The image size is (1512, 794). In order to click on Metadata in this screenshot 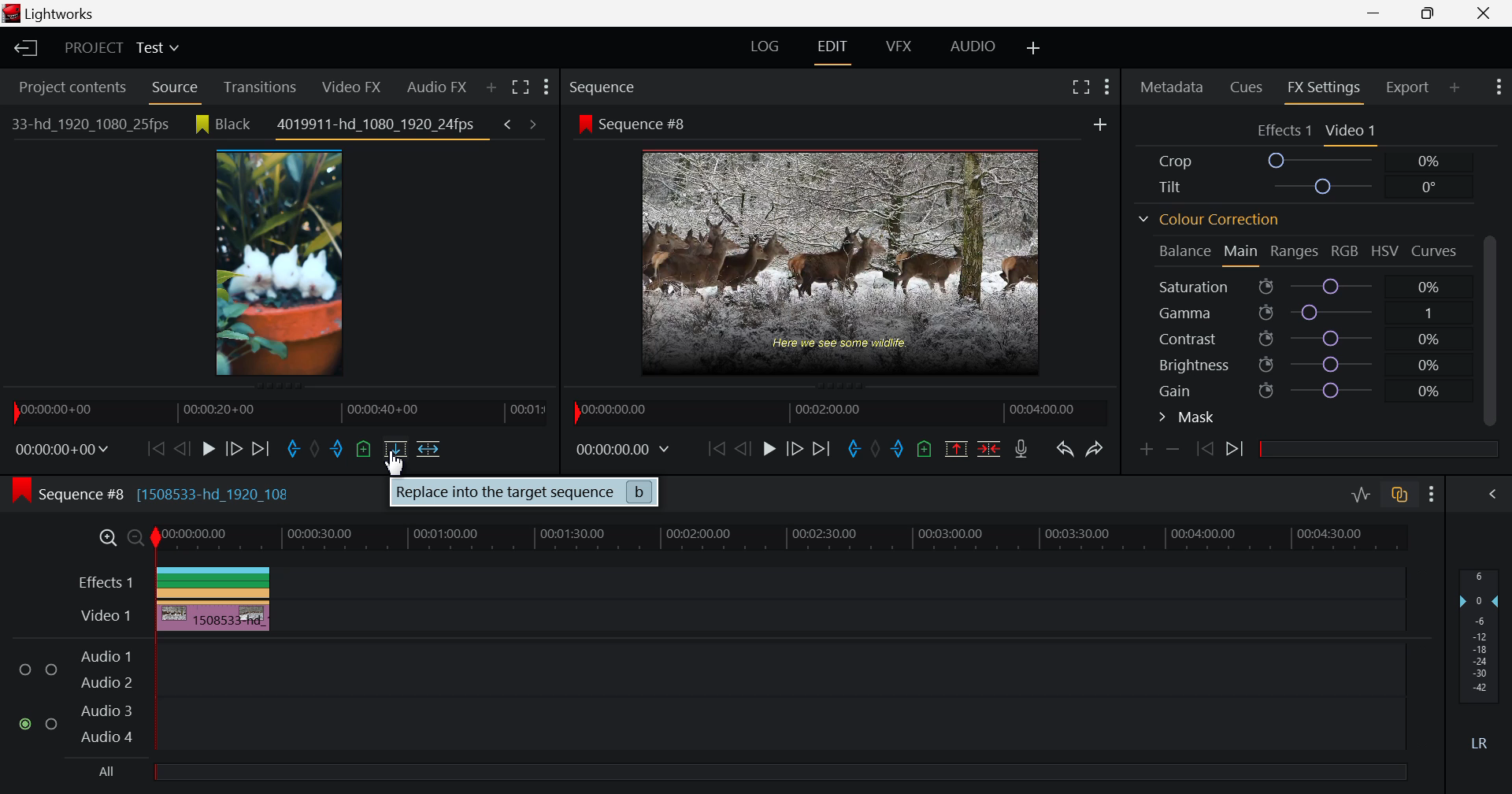, I will do `click(1171, 86)`.